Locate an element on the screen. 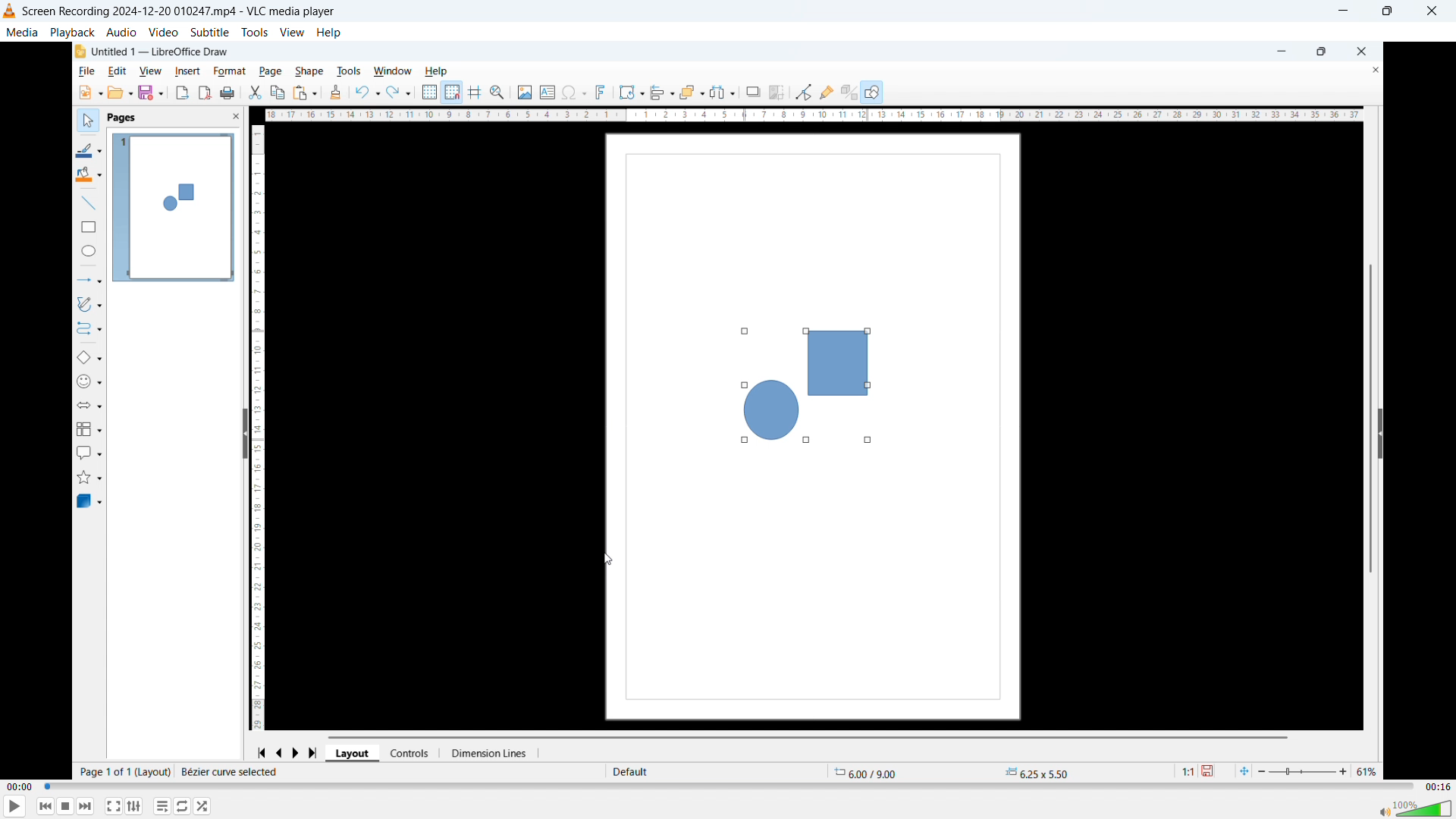 This screenshot has height=819, width=1456. View  is located at coordinates (292, 31).